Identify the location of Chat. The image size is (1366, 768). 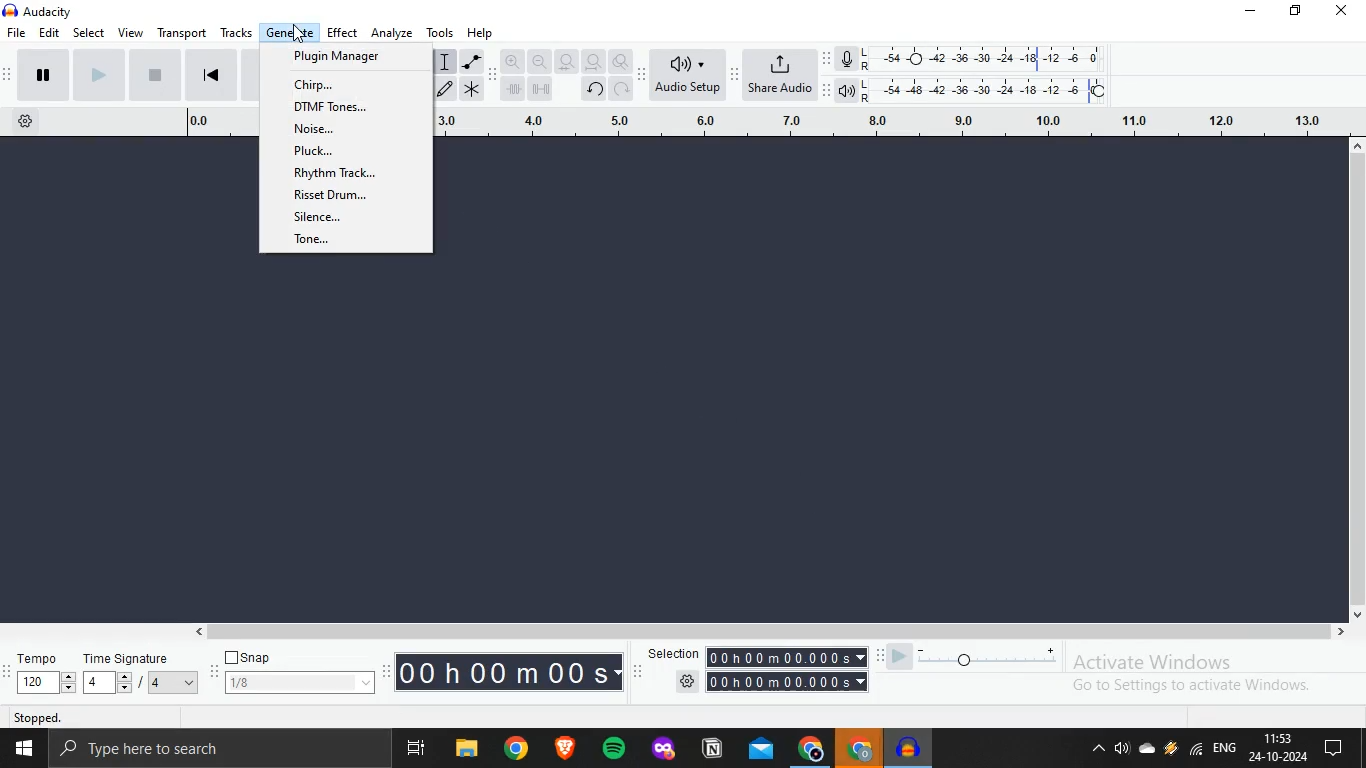
(1343, 749).